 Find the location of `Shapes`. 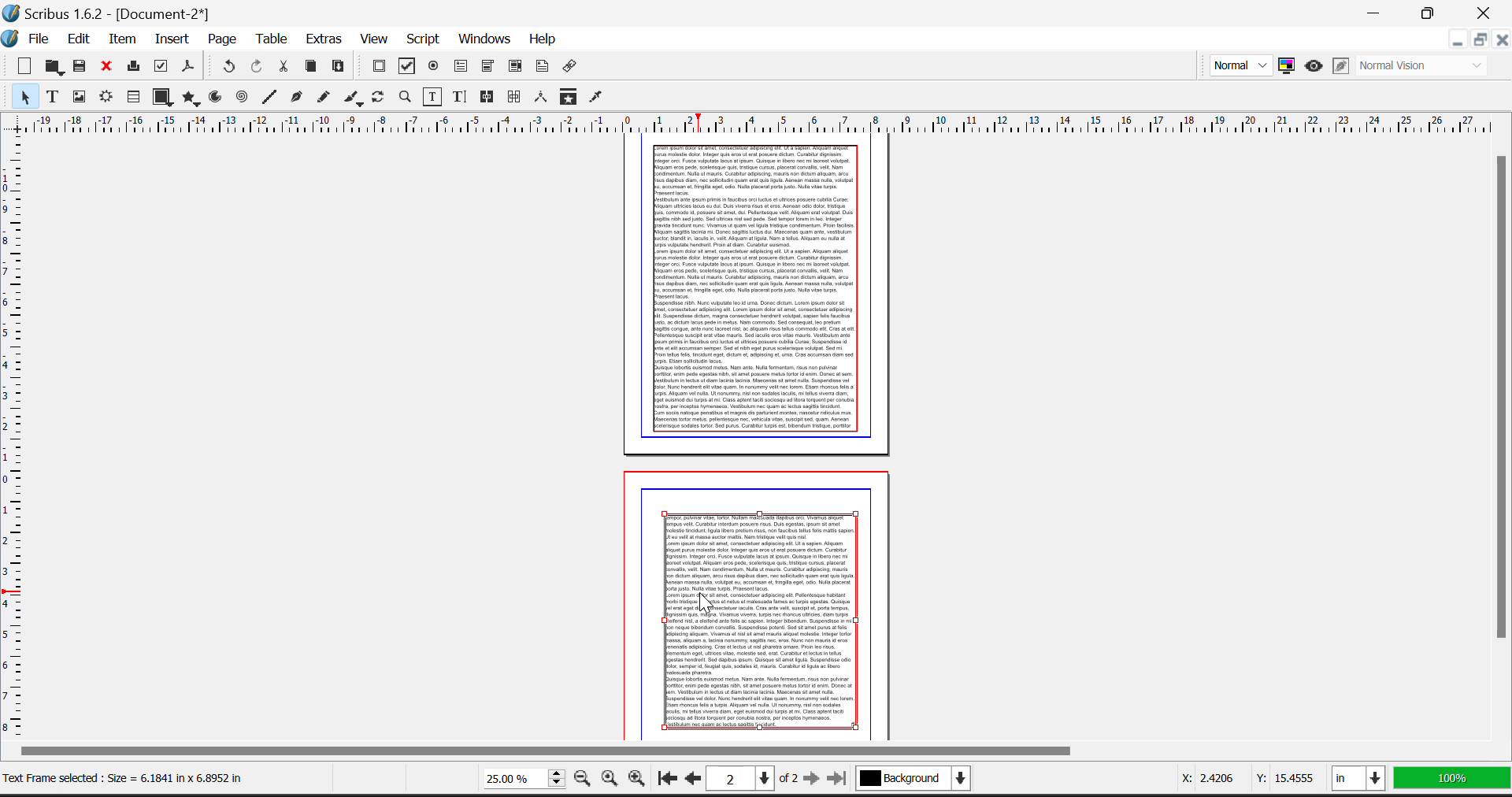

Shapes is located at coordinates (161, 98).